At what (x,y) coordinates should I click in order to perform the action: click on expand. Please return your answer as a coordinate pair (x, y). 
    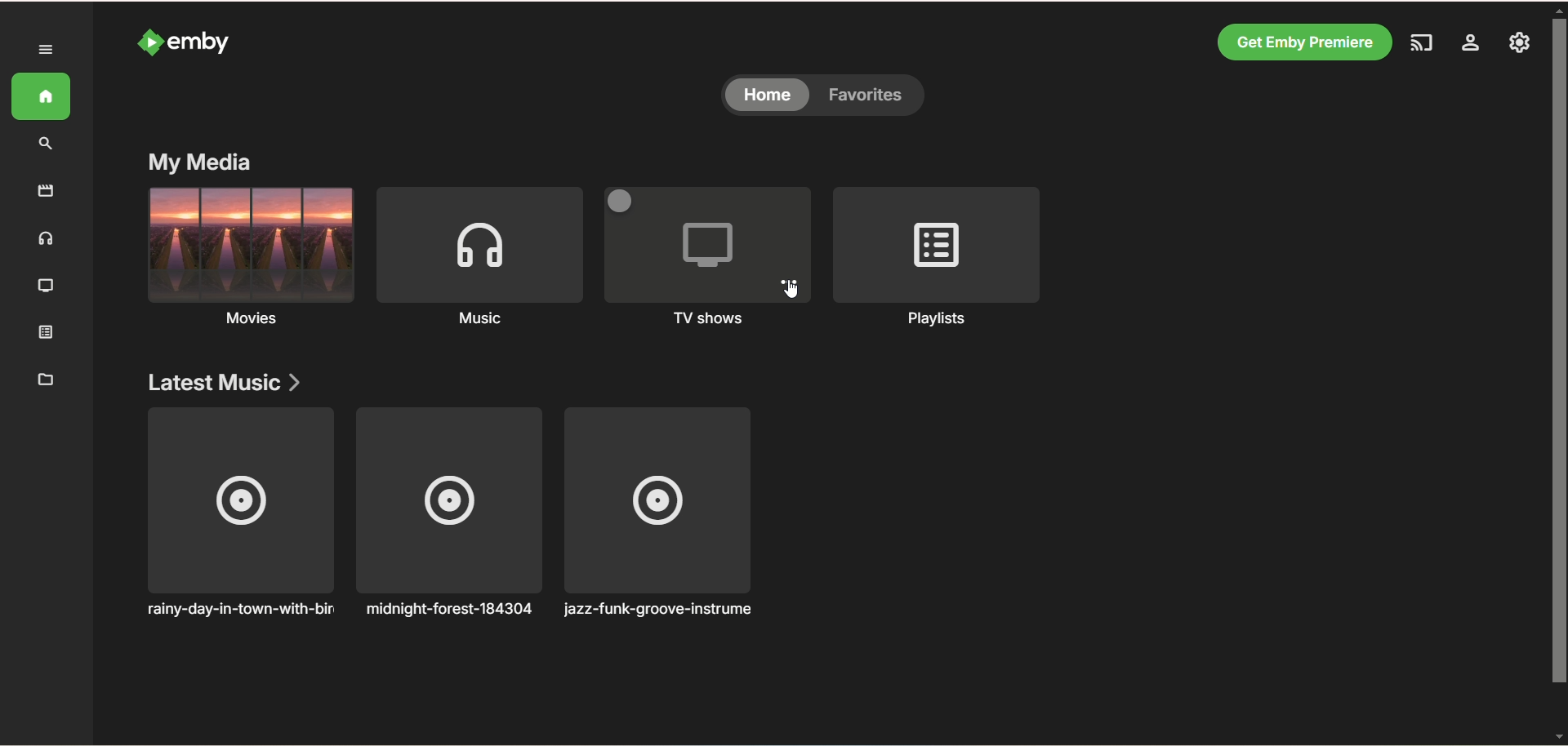
    Looking at the image, I should click on (47, 50).